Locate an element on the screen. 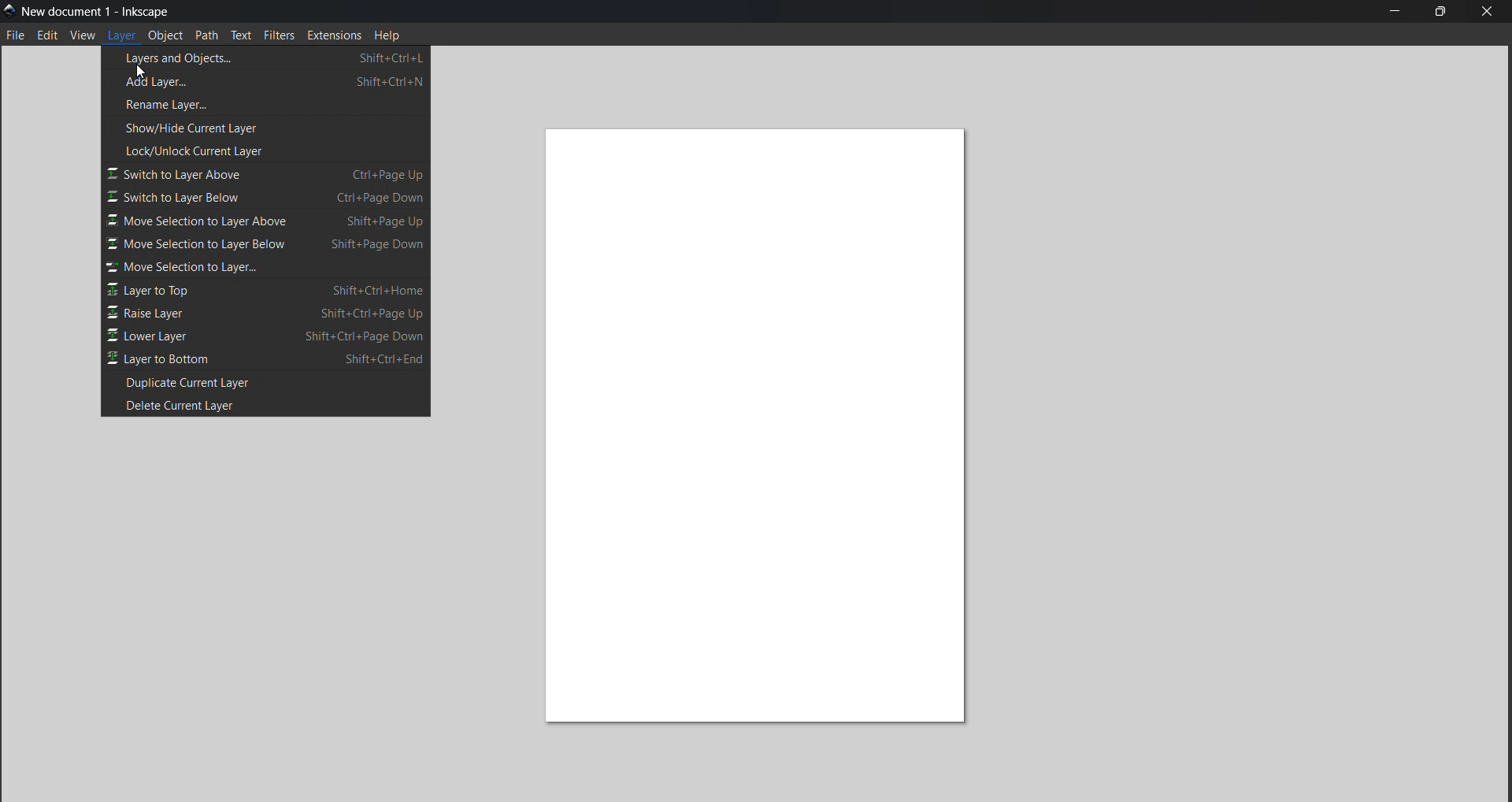 The height and width of the screenshot is (802, 1512). show/hide current layer is located at coordinates (195, 128).